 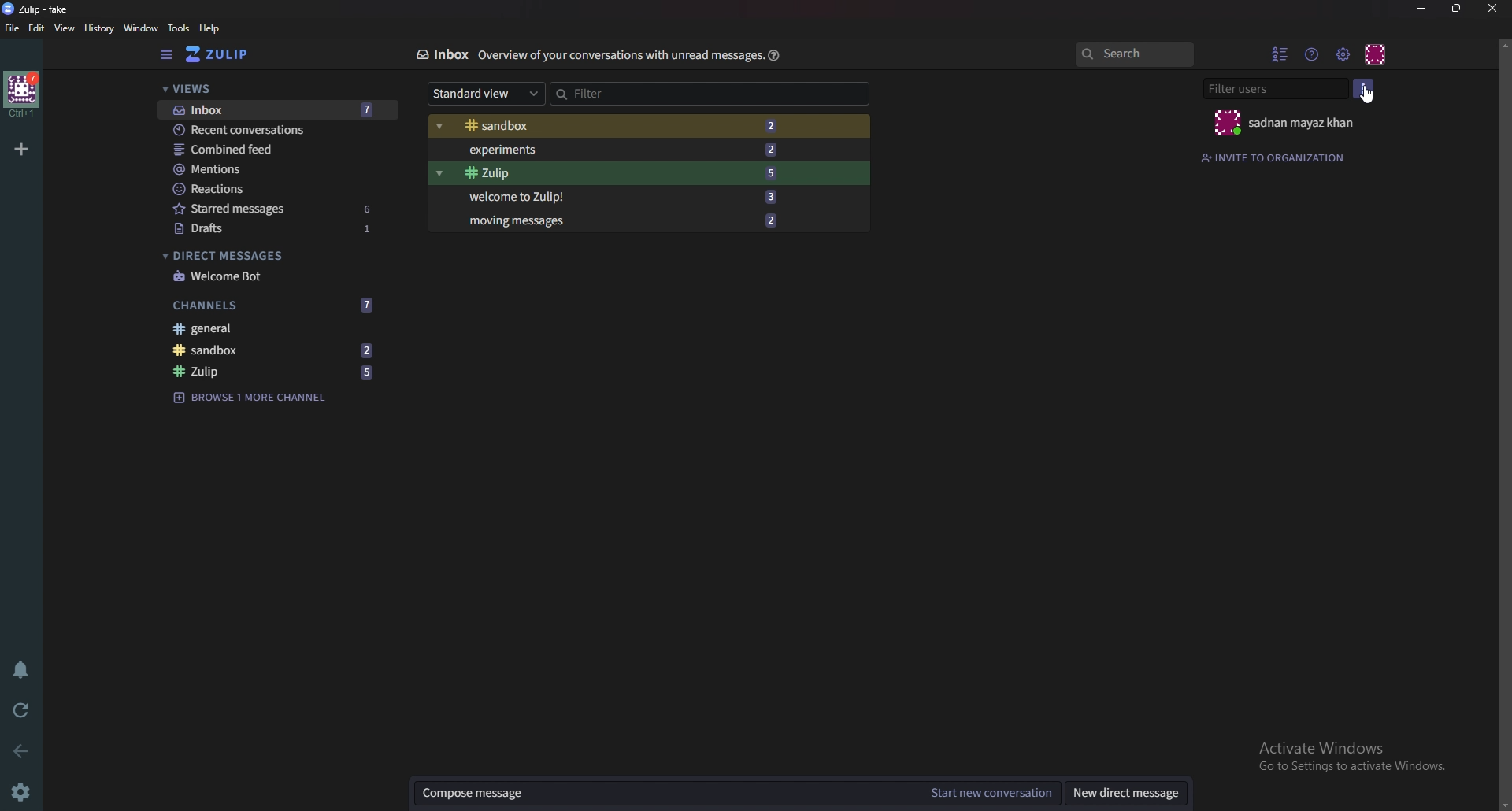 What do you see at coordinates (1134, 54) in the screenshot?
I see `Search` at bounding box center [1134, 54].